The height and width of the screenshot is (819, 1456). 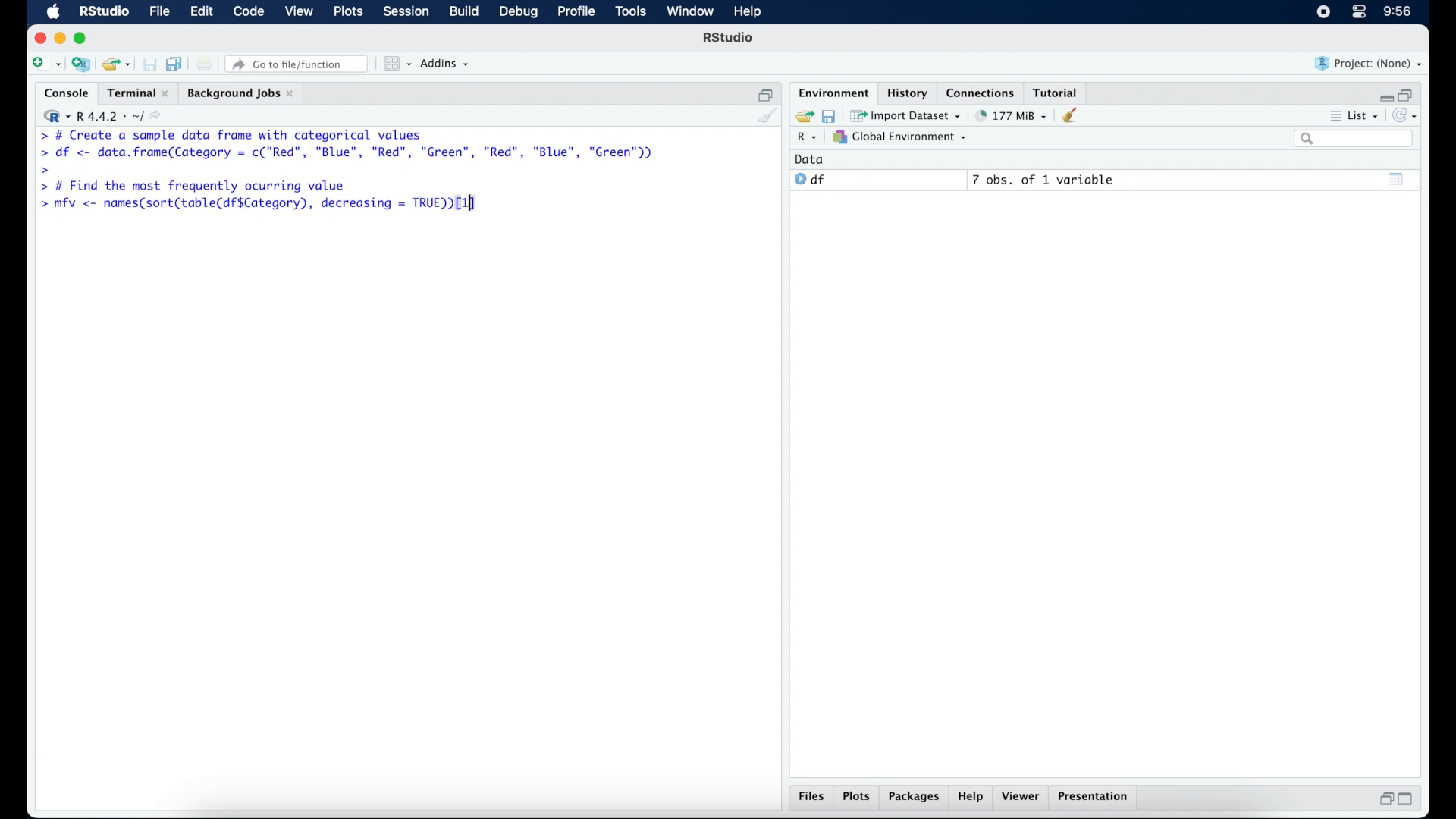 What do you see at coordinates (249, 12) in the screenshot?
I see `code` at bounding box center [249, 12].